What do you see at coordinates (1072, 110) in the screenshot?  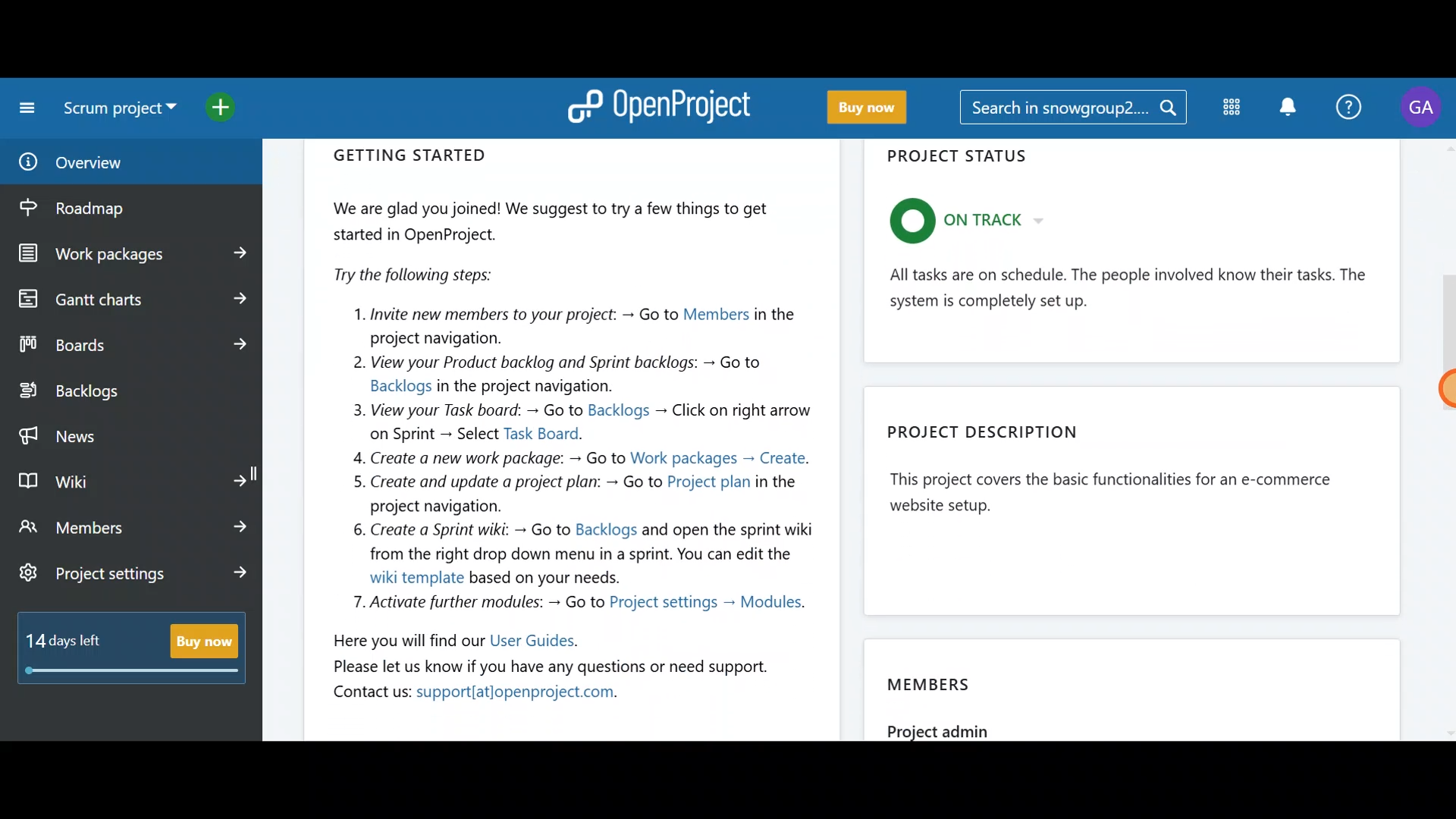 I see `Search bar` at bounding box center [1072, 110].